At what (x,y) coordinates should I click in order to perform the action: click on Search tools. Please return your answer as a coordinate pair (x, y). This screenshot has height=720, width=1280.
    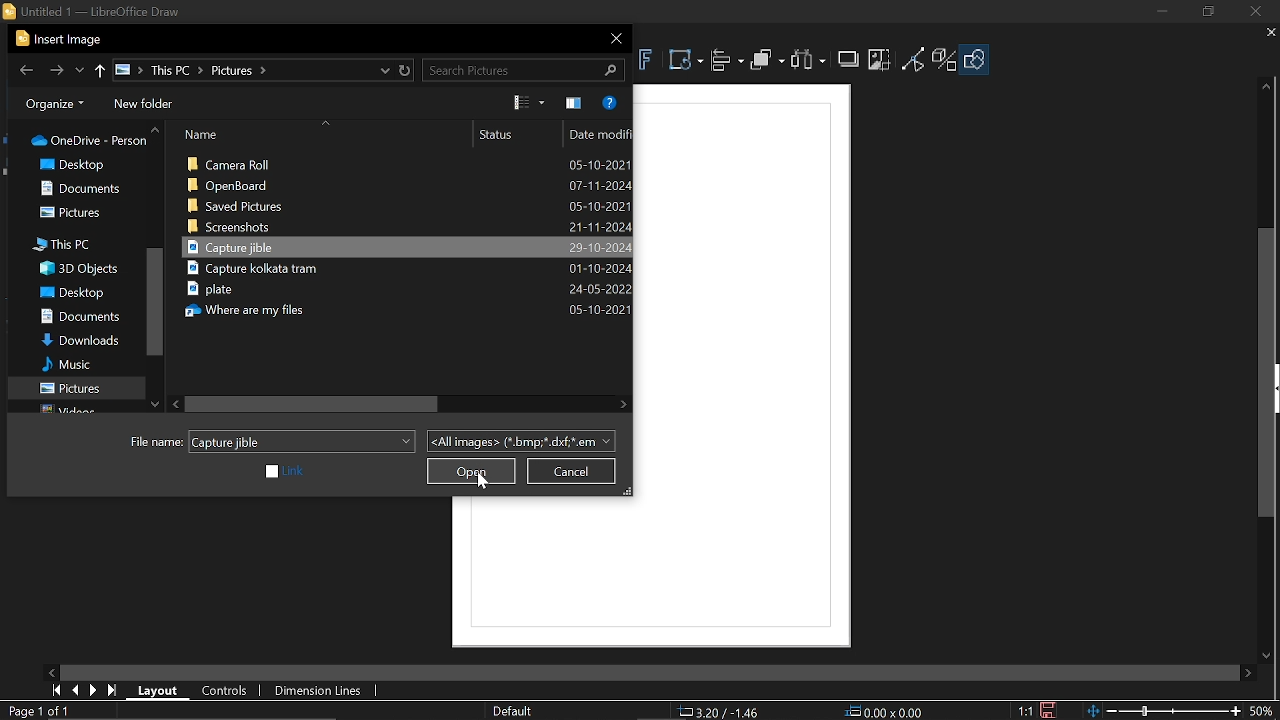
    Looking at the image, I should click on (526, 69).